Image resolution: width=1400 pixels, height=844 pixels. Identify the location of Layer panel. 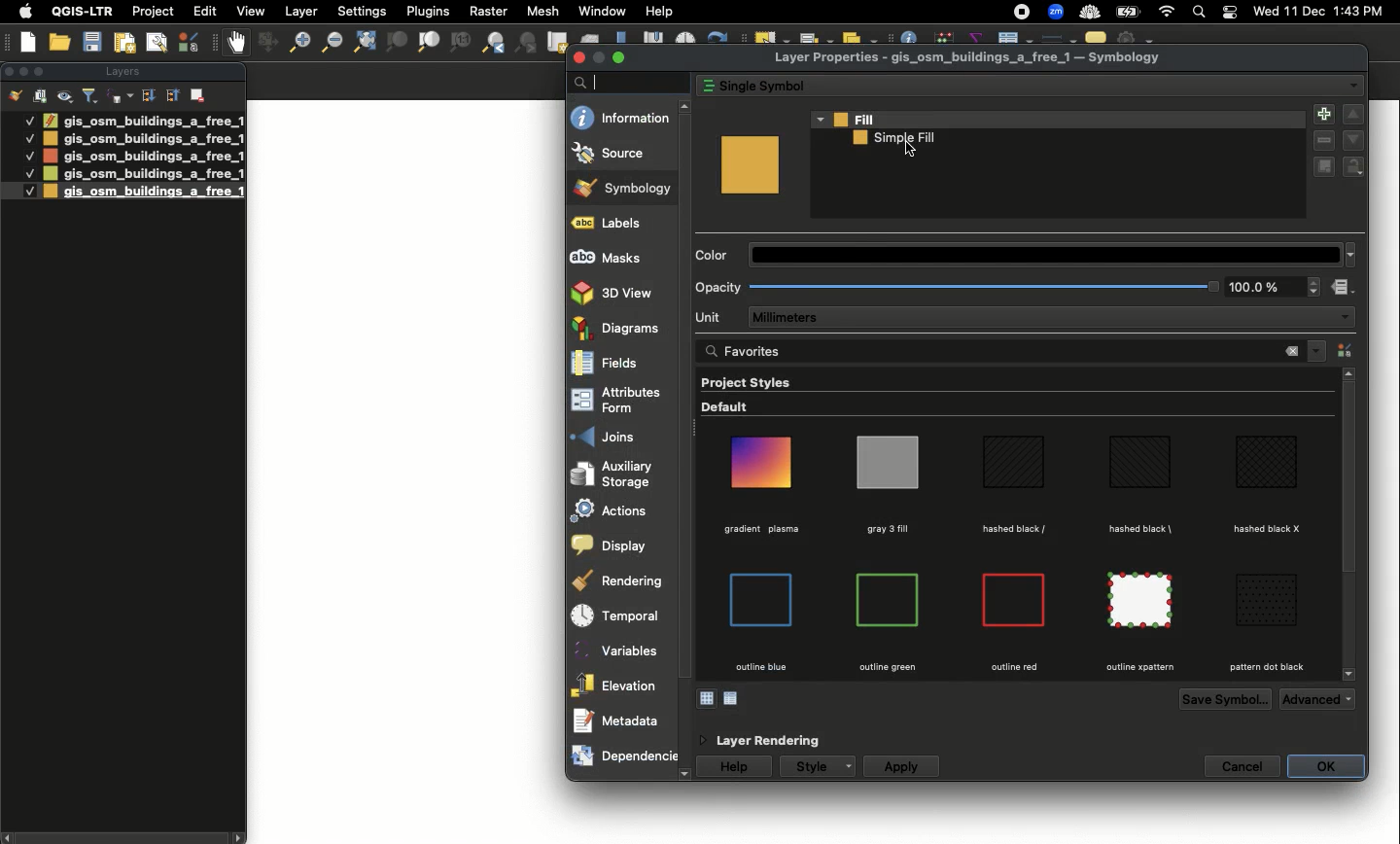
(121, 73).